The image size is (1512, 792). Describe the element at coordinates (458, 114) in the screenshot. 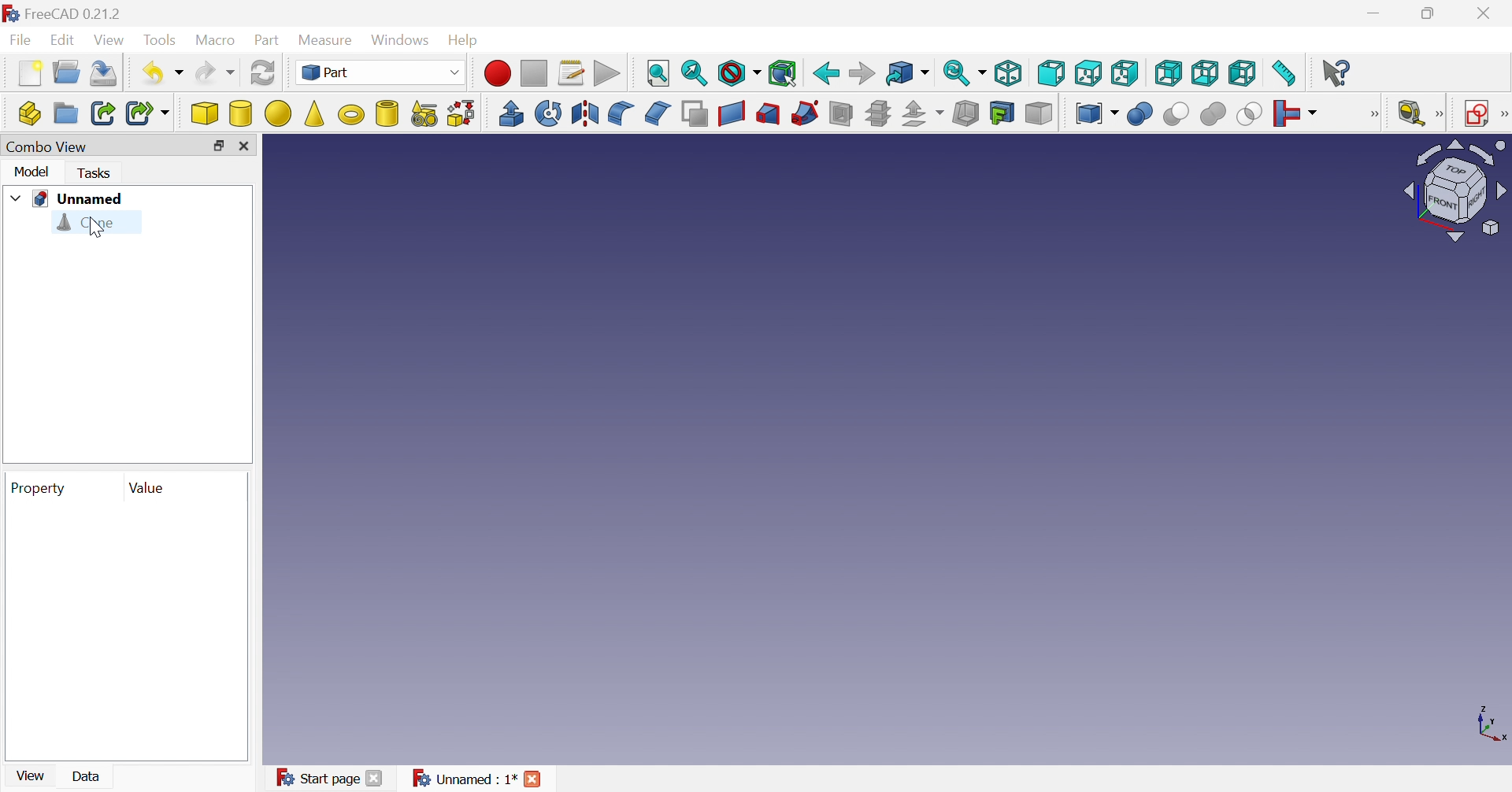

I see `Shape builder` at that location.